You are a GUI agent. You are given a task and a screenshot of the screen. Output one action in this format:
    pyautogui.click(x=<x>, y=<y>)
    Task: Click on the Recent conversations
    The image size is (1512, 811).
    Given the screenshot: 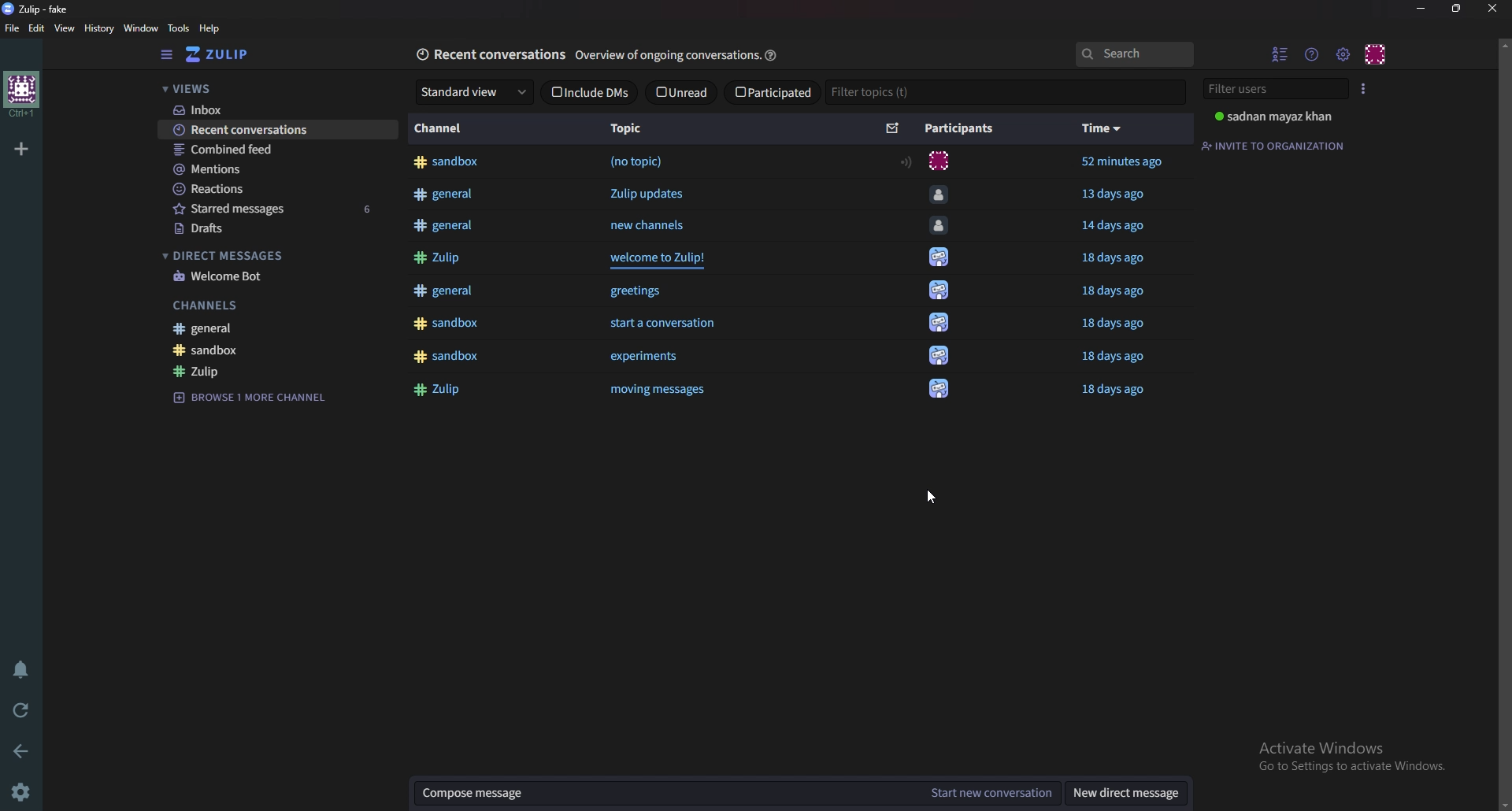 What is the action you would take?
    pyautogui.click(x=488, y=53)
    